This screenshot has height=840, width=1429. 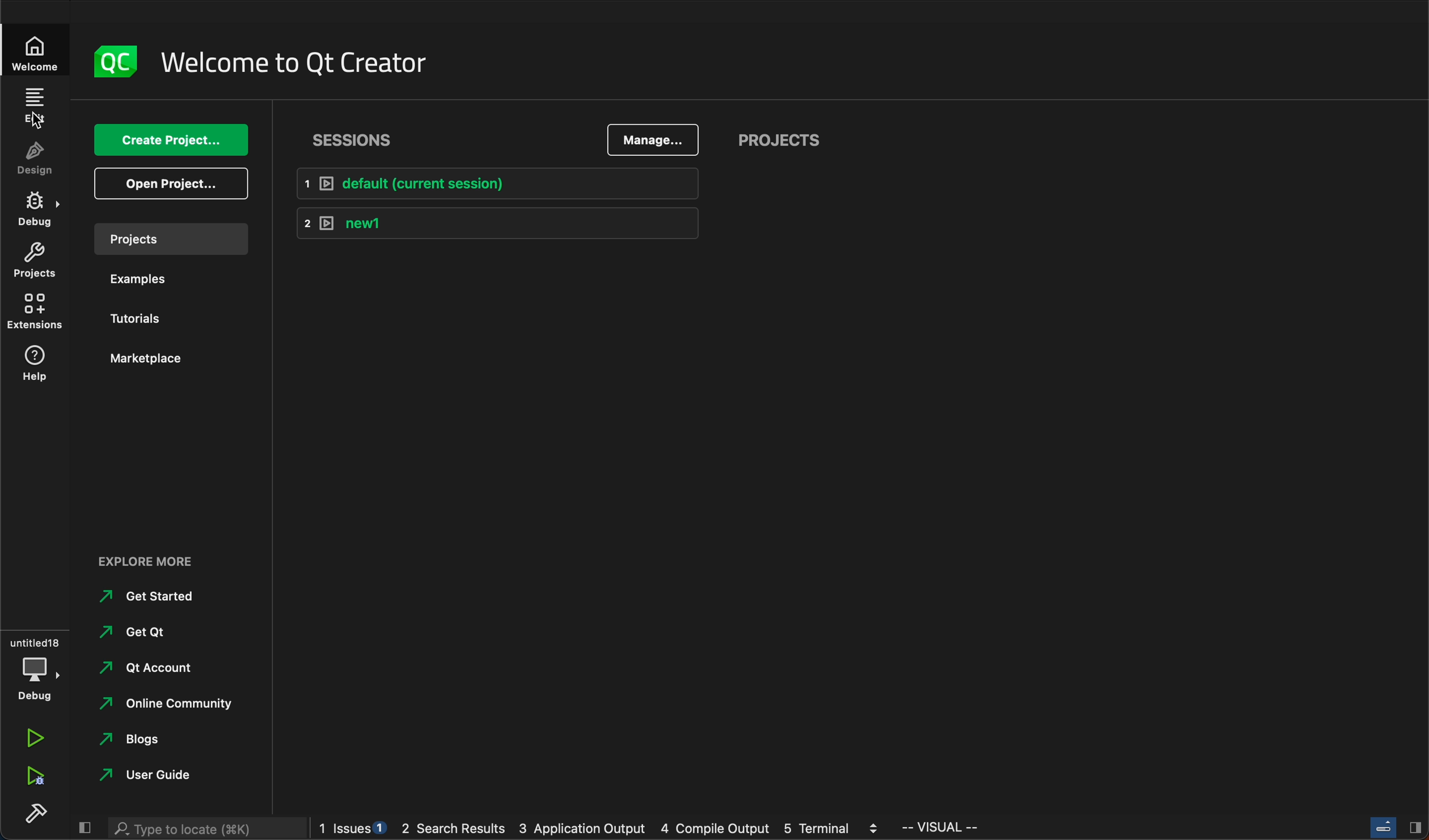 I want to click on search results, so click(x=452, y=829).